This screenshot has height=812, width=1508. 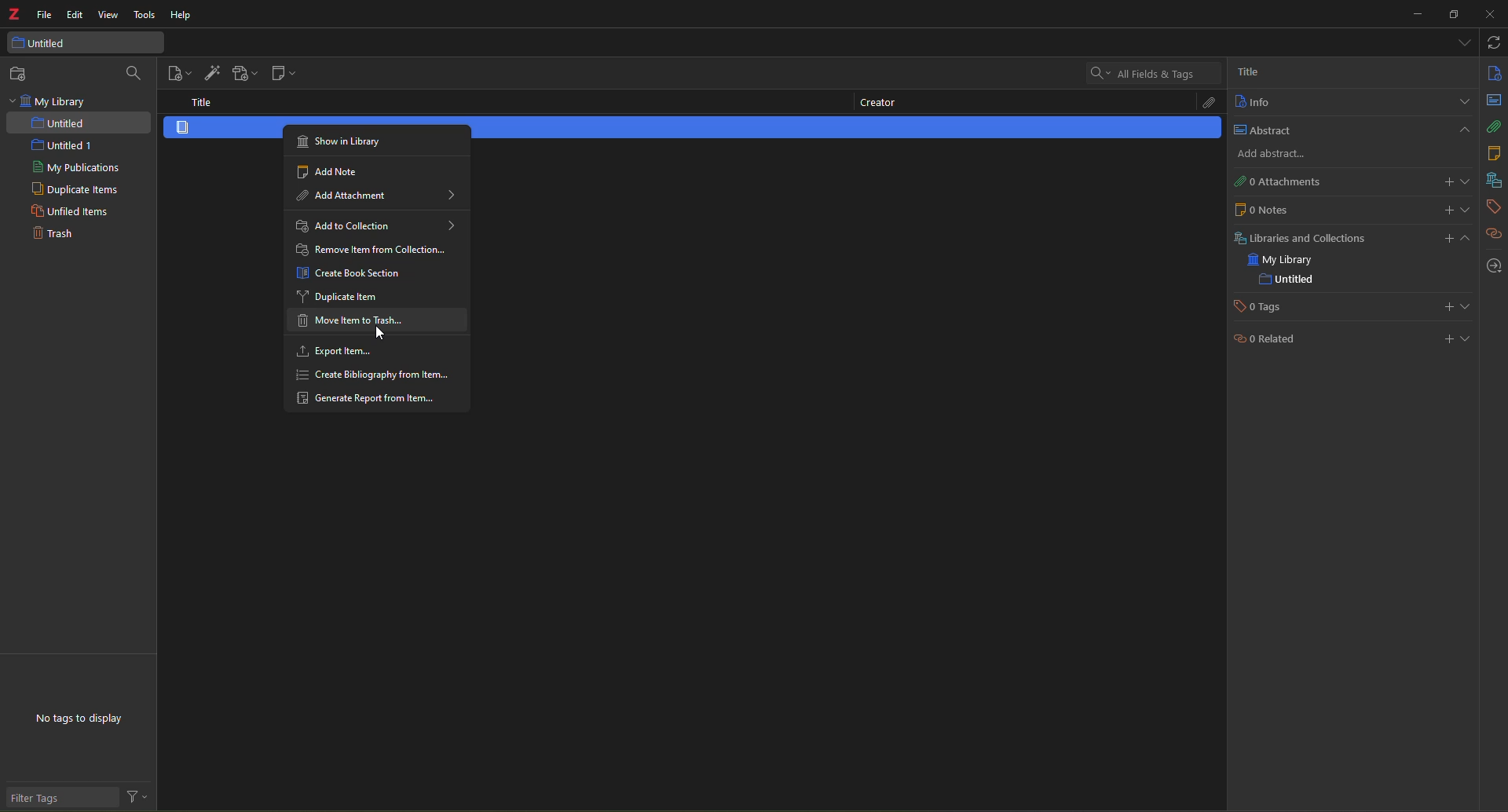 I want to click on add, so click(x=1443, y=338).